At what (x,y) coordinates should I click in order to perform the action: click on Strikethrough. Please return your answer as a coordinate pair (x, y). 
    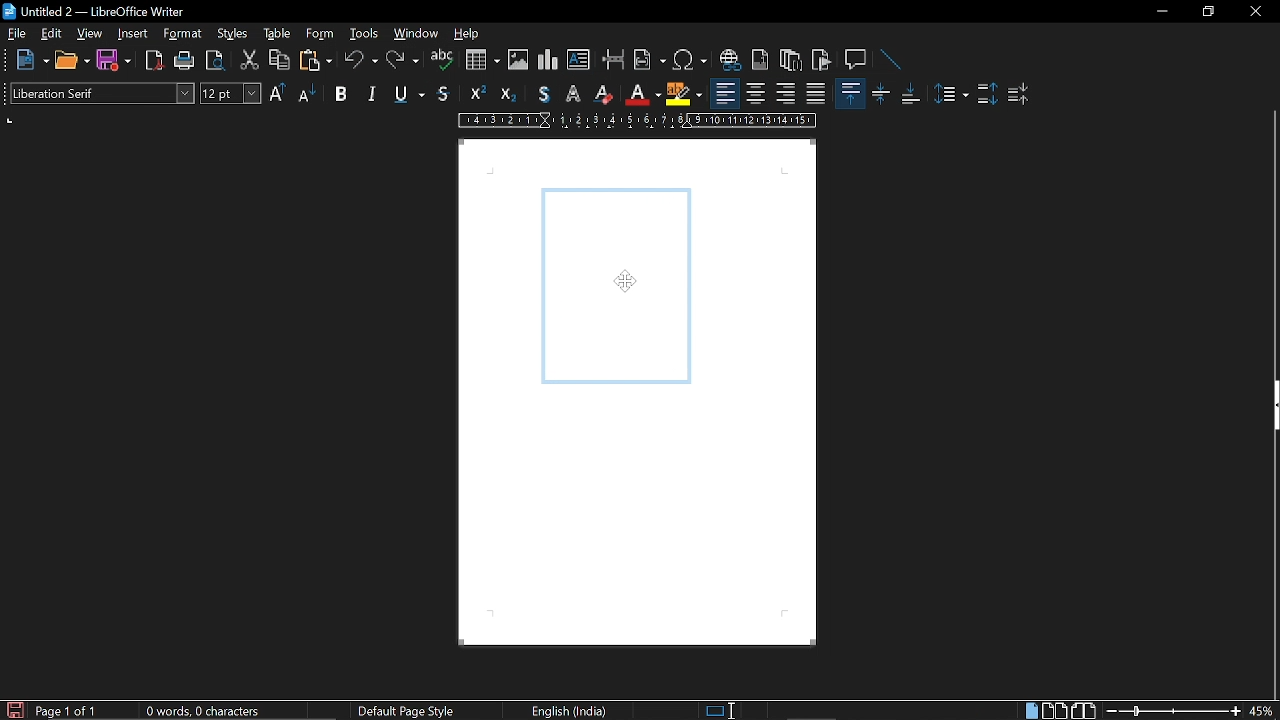
    Looking at the image, I should click on (542, 95).